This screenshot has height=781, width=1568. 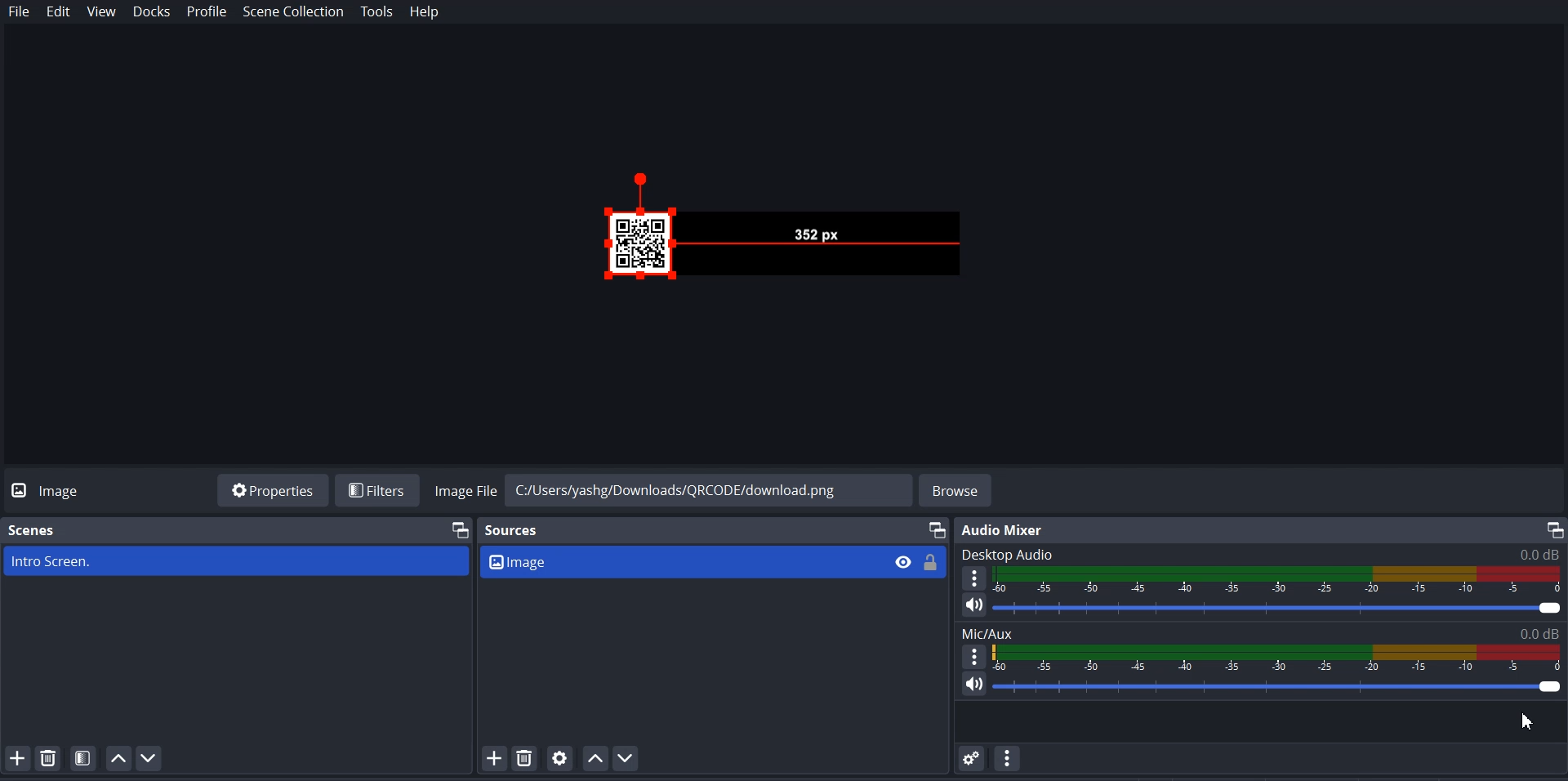 I want to click on Text, so click(x=1261, y=554).